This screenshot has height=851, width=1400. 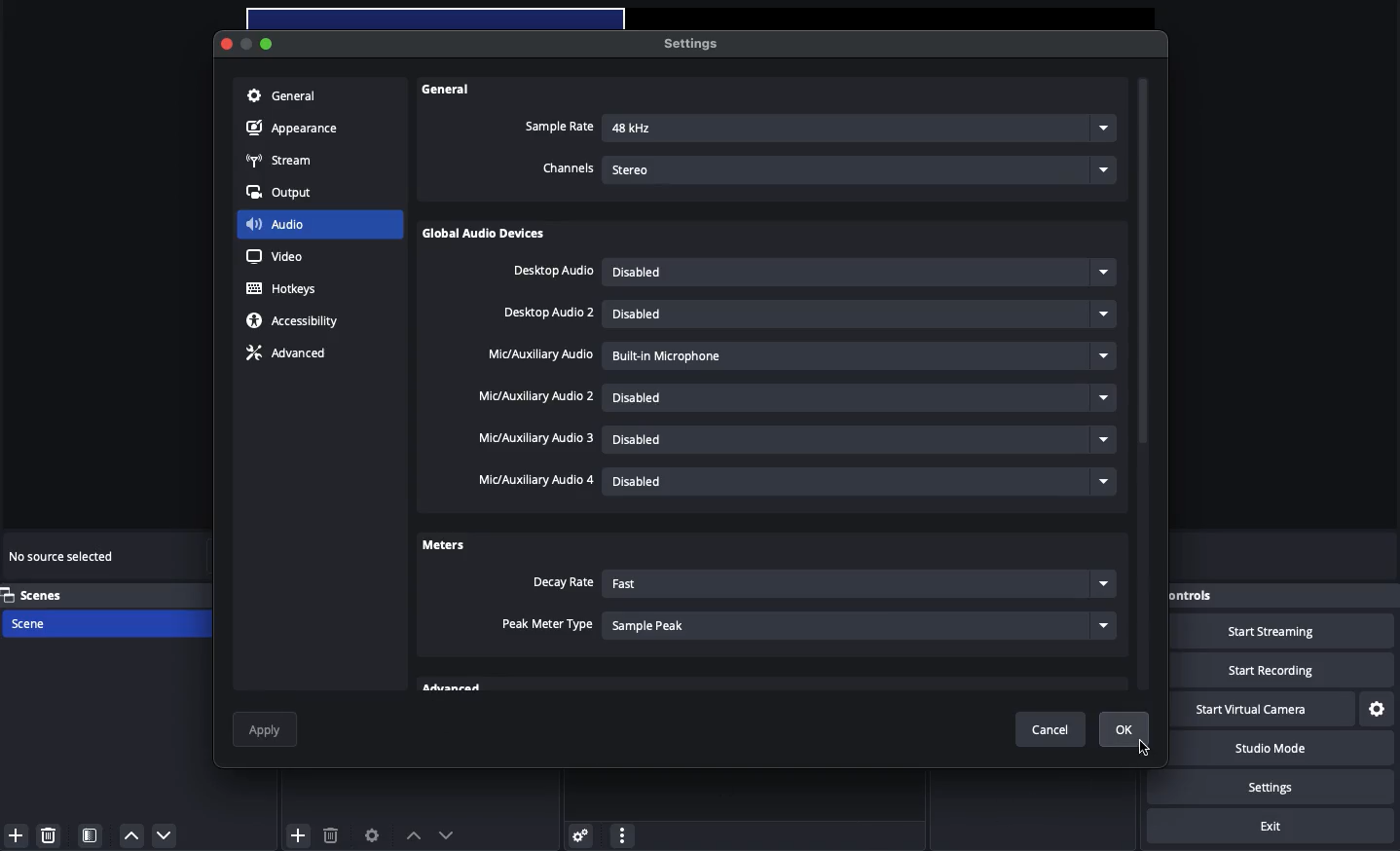 What do you see at coordinates (562, 583) in the screenshot?
I see `Decay rate` at bounding box center [562, 583].